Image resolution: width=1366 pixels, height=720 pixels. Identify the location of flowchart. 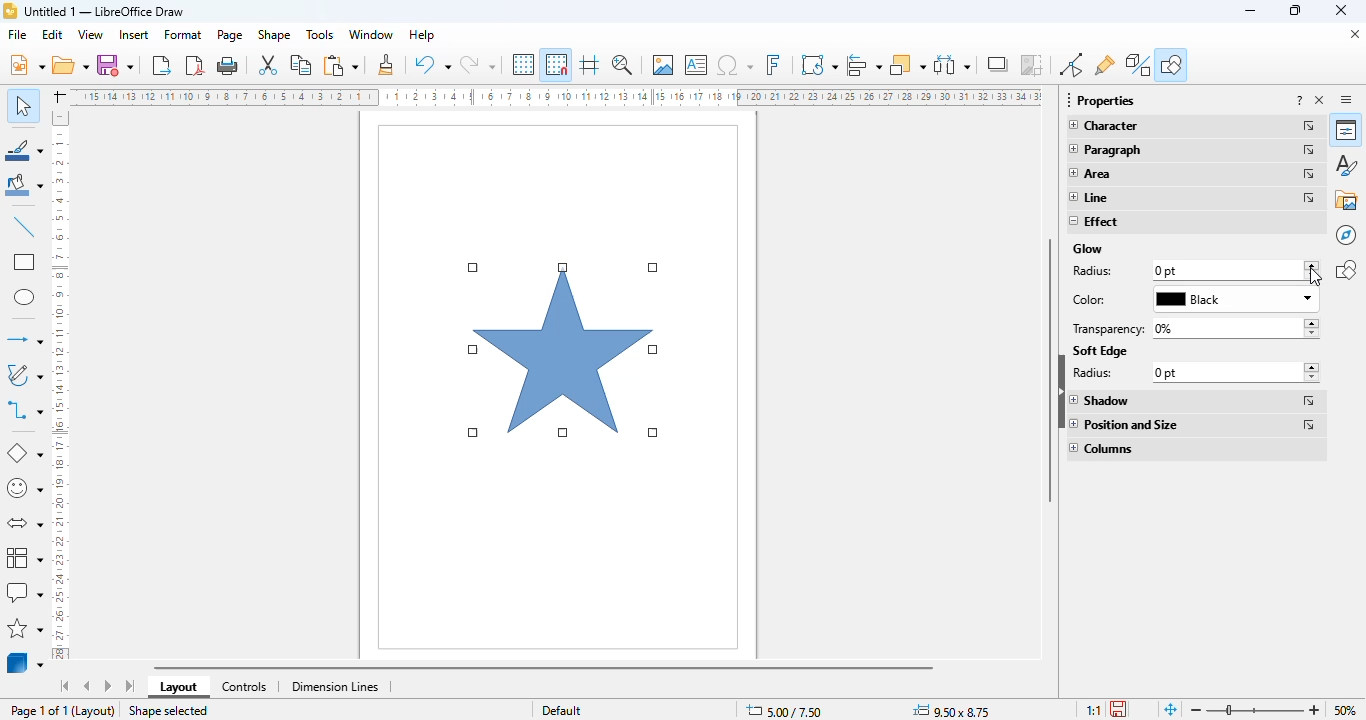
(23, 557).